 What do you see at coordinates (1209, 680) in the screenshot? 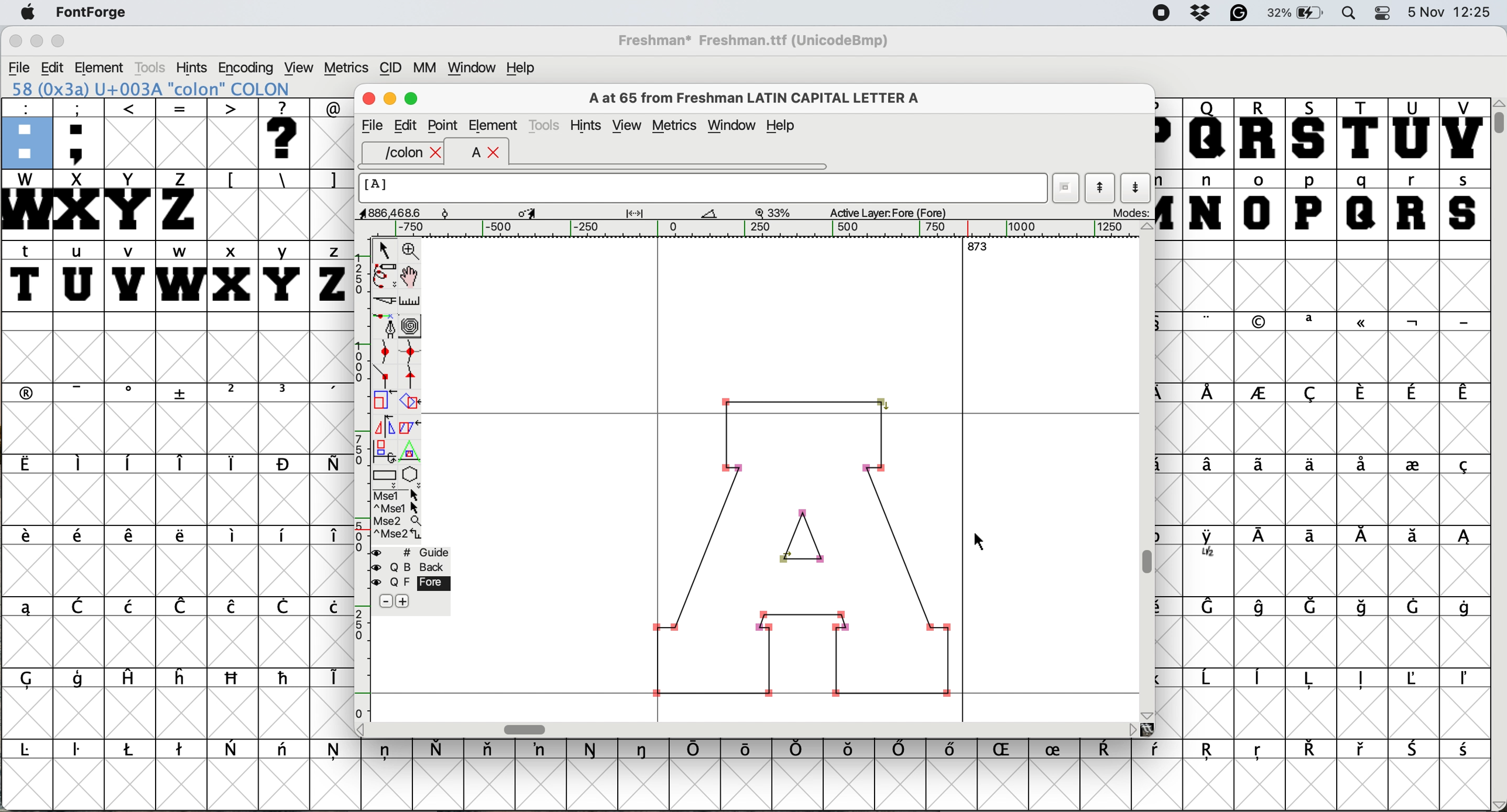
I see `symbol` at bounding box center [1209, 680].